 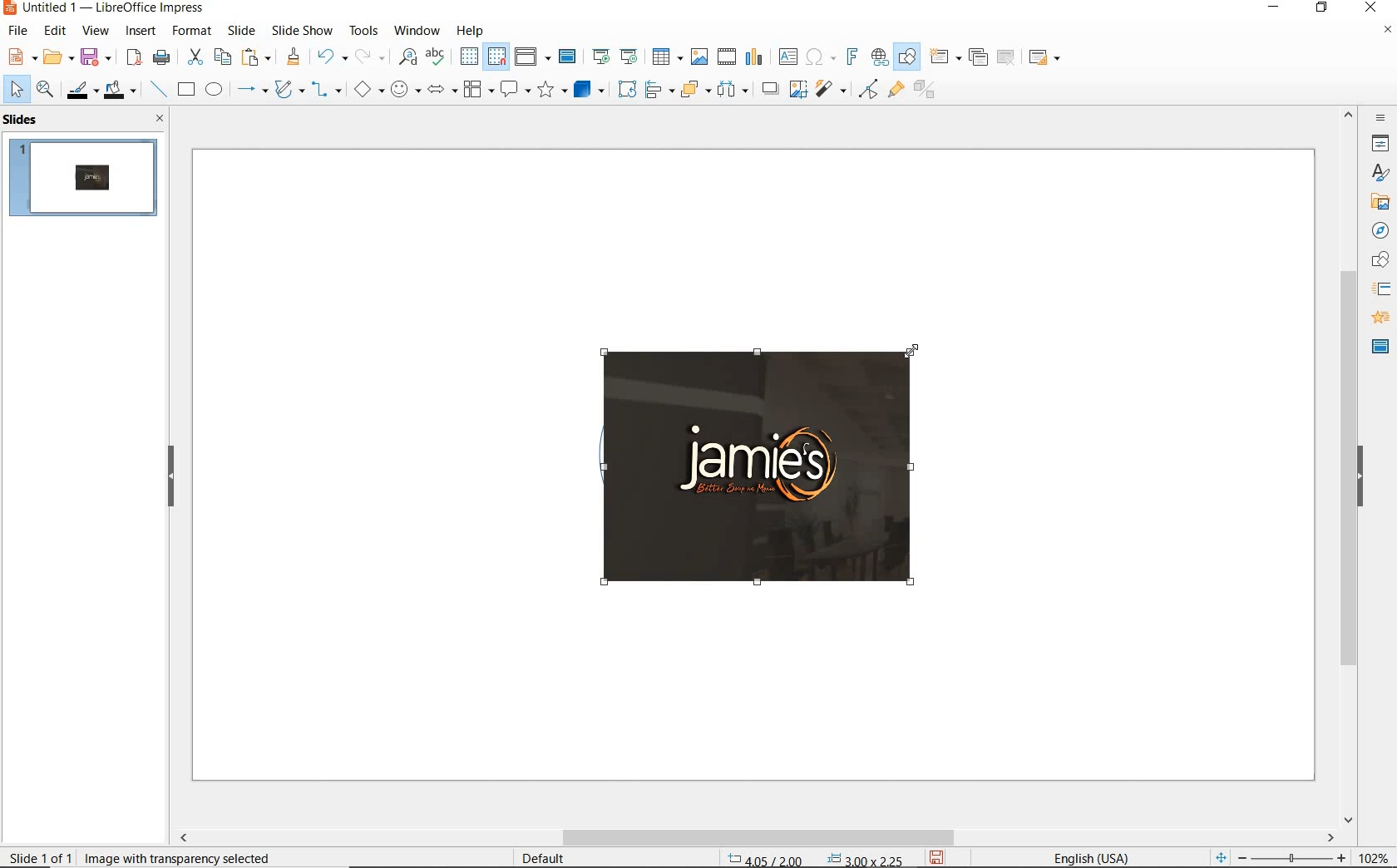 What do you see at coordinates (1360, 478) in the screenshot?
I see `hide` at bounding box center [1360, 478].